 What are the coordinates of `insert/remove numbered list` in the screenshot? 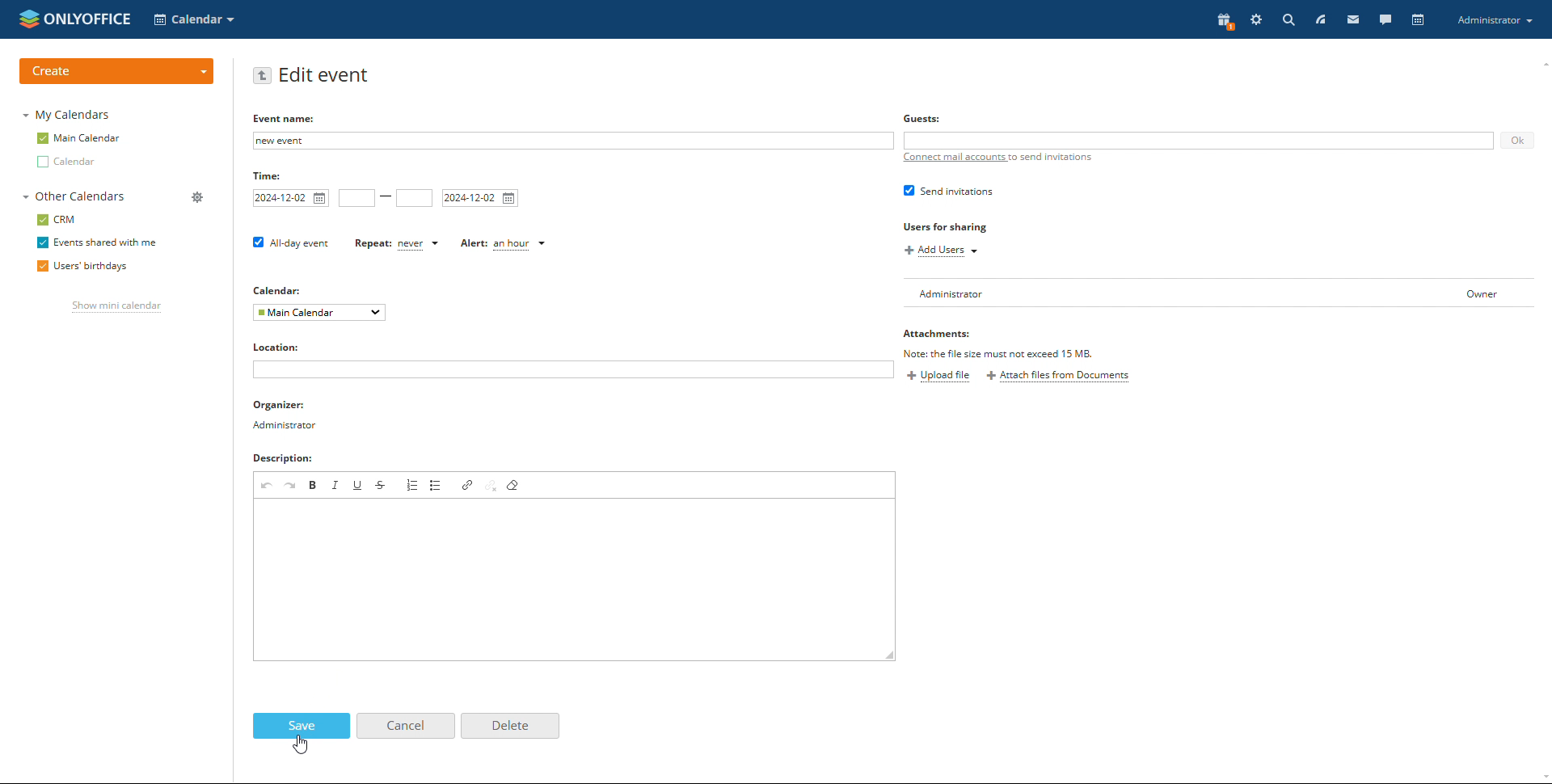 It's located at (414, 485).